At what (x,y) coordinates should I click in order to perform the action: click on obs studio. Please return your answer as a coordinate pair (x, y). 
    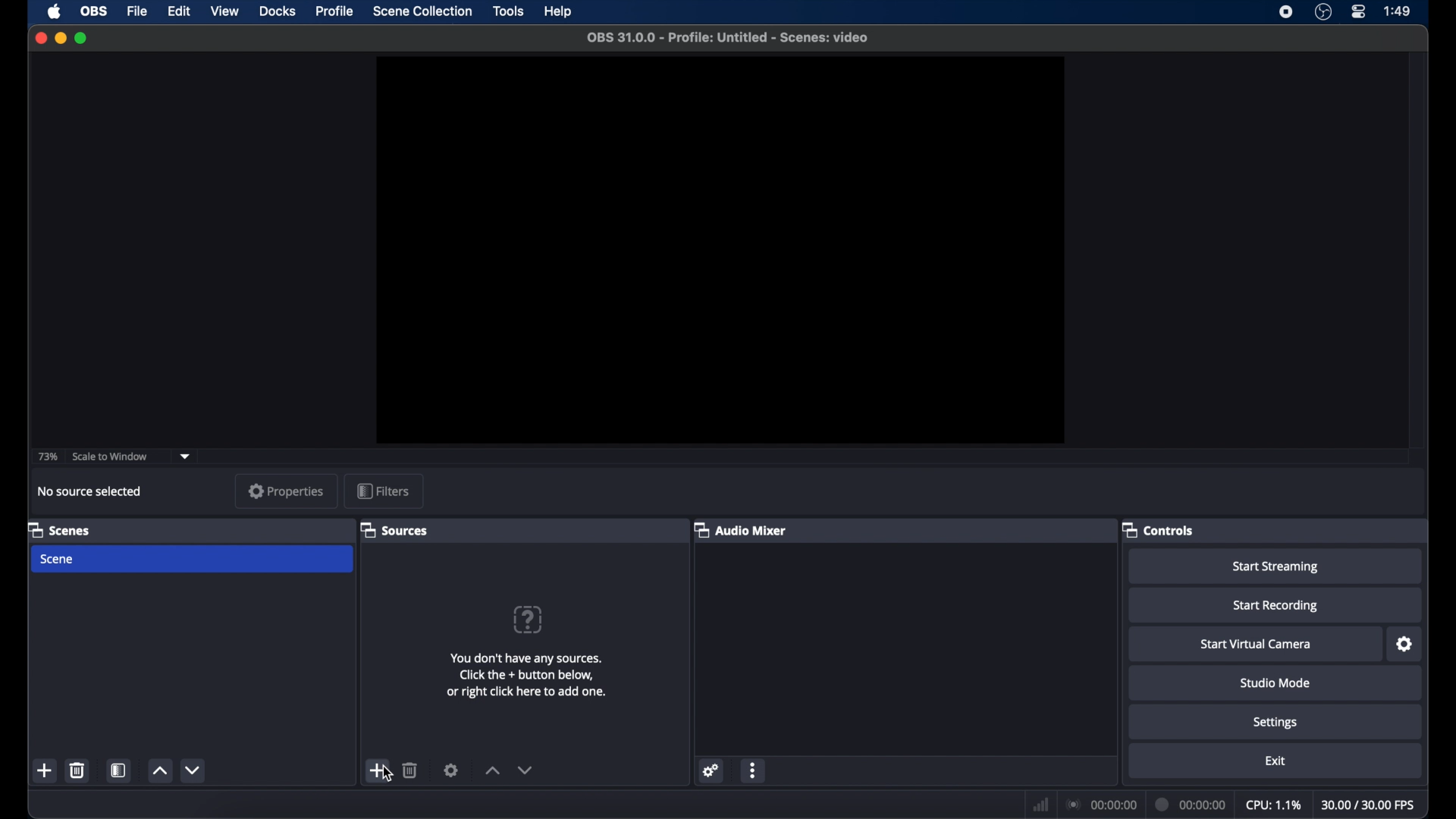
    Looking at the image, I should click on (1323, 12).